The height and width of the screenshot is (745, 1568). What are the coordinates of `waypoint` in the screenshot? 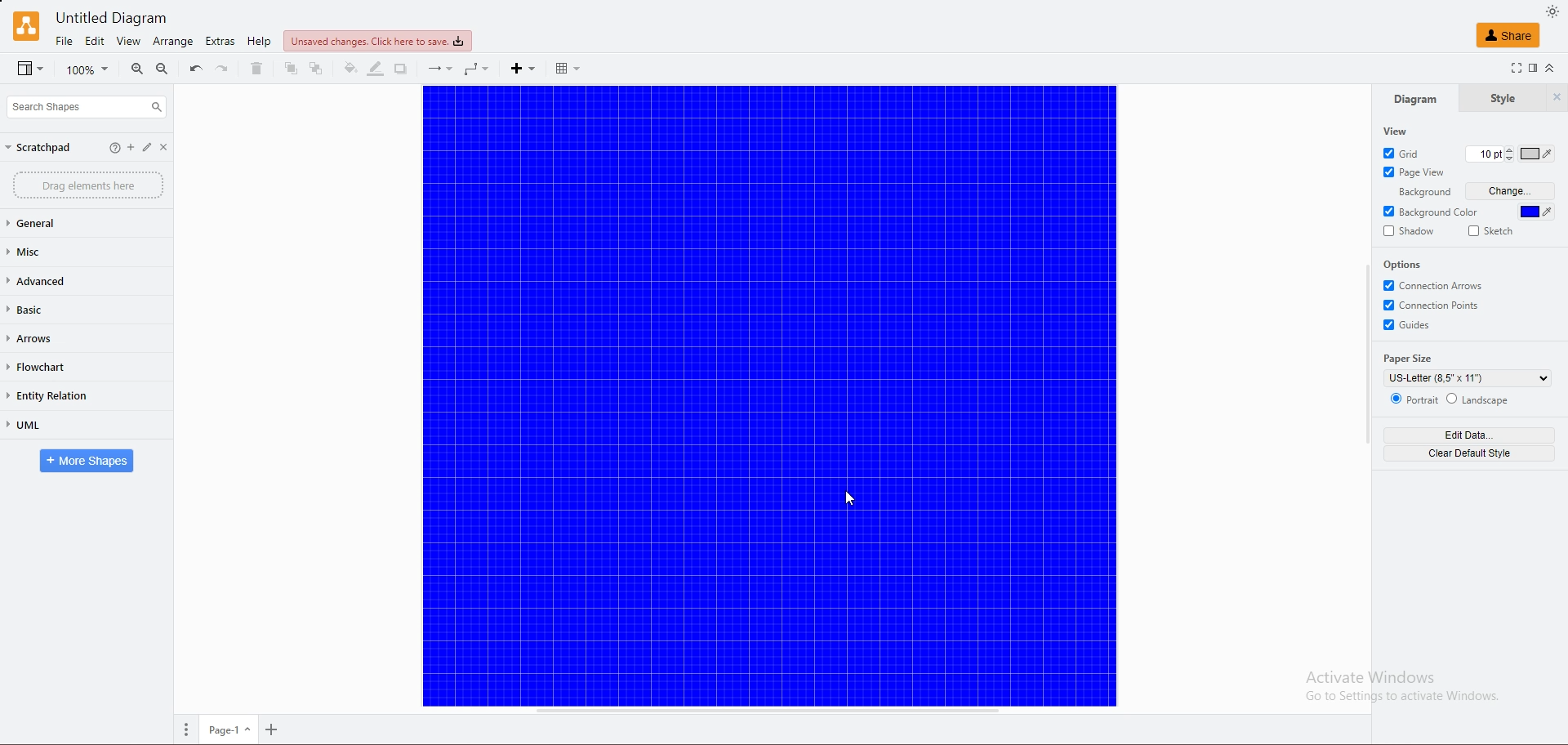 It's located at (479, 69).